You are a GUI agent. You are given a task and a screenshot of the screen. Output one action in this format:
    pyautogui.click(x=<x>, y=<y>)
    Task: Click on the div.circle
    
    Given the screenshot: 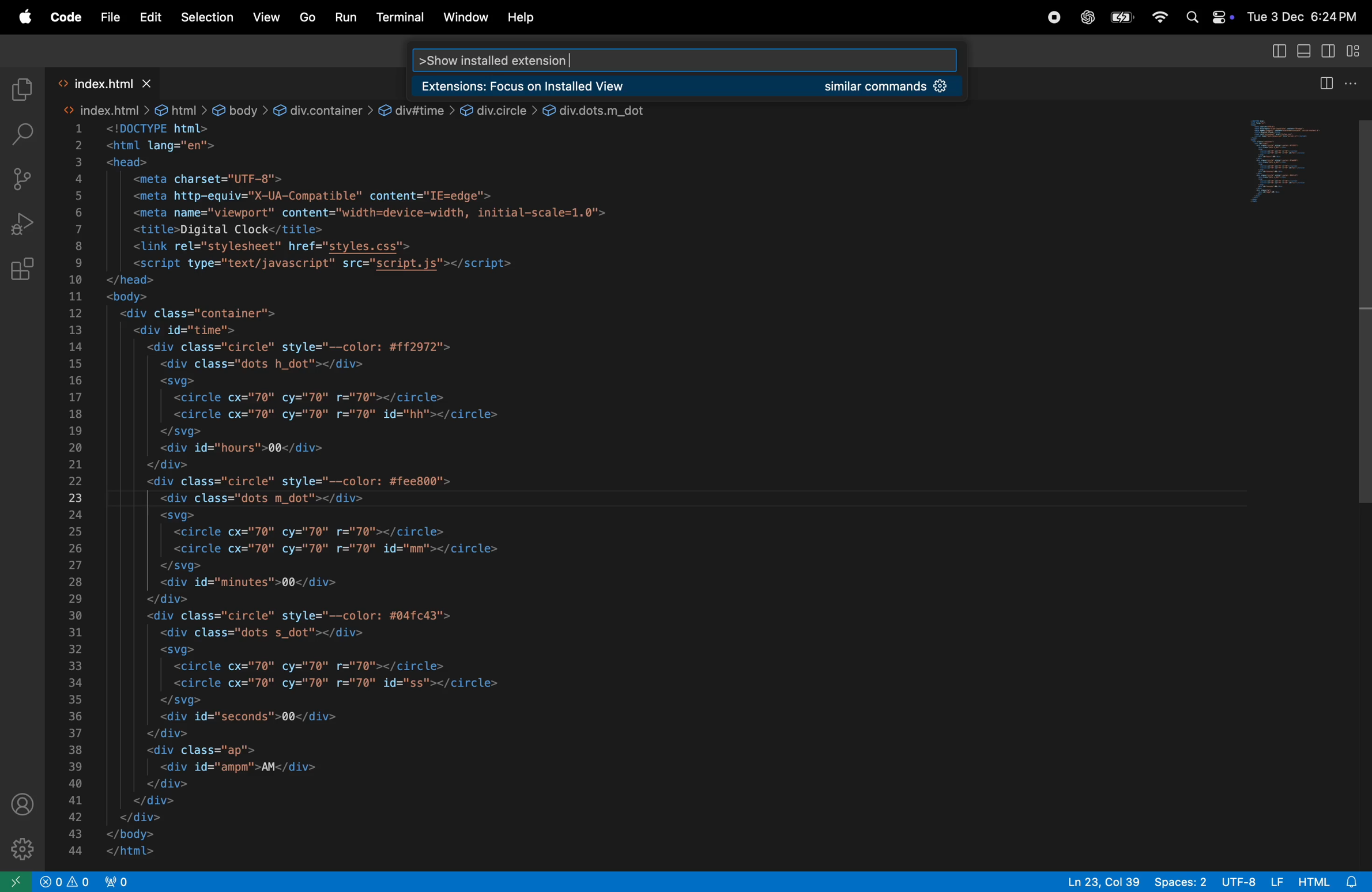 What is the action you would take?
    pyautogui.click(x=497, y=109)
    